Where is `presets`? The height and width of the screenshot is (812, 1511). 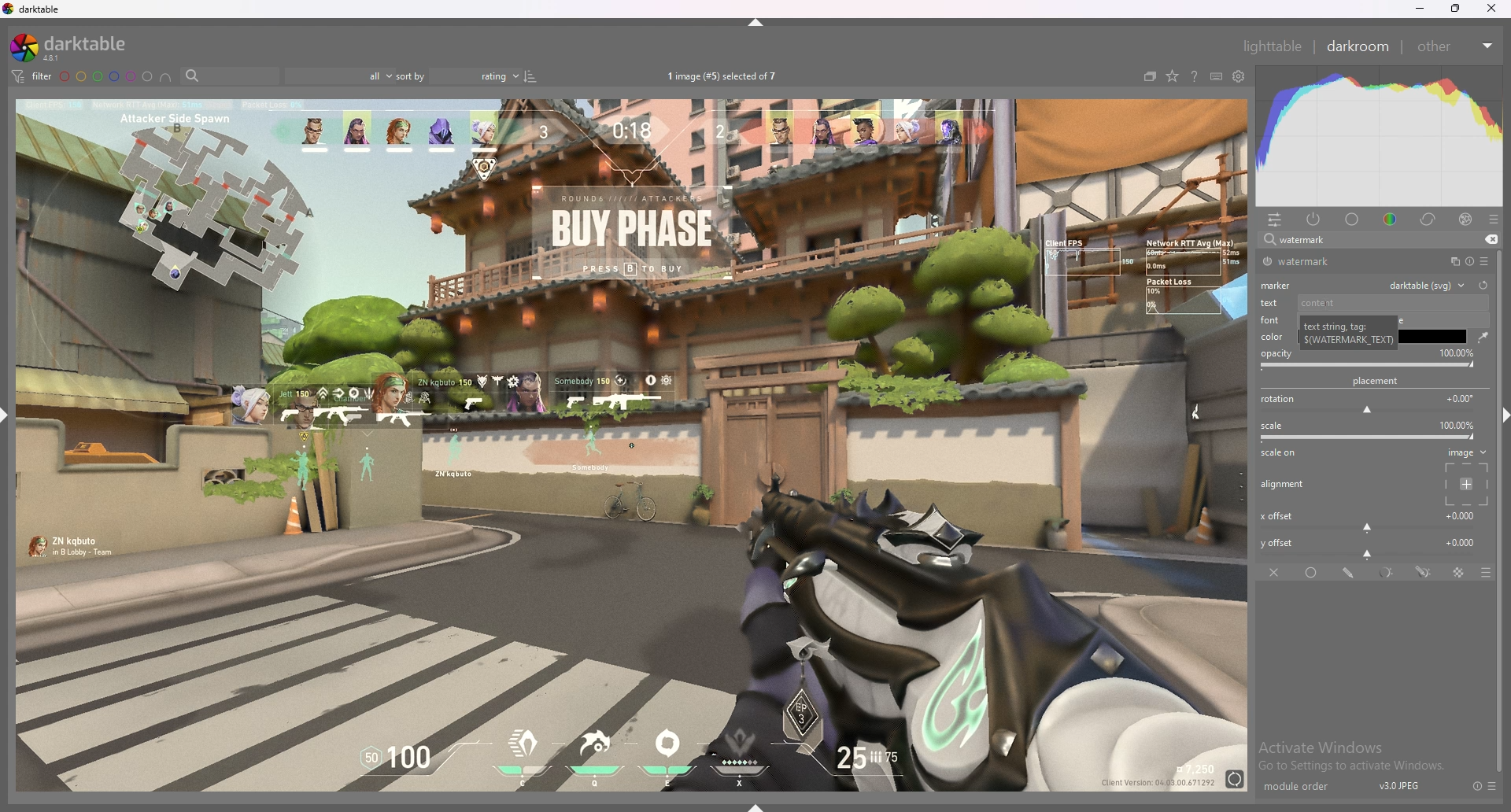 presets is located at coordinates (1484, 261).